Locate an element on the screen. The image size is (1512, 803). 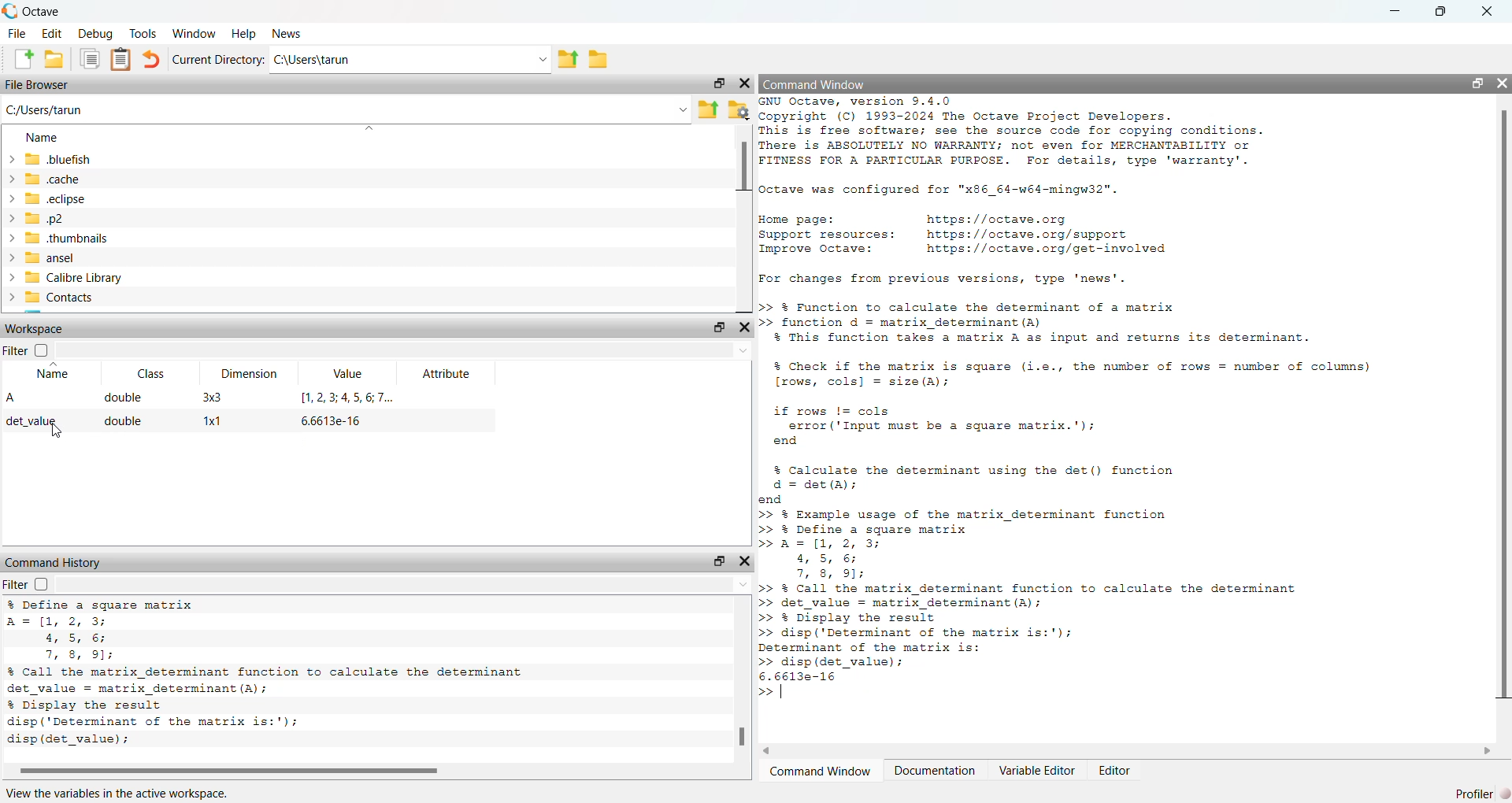
file browser is located at coordinates (39, 84).